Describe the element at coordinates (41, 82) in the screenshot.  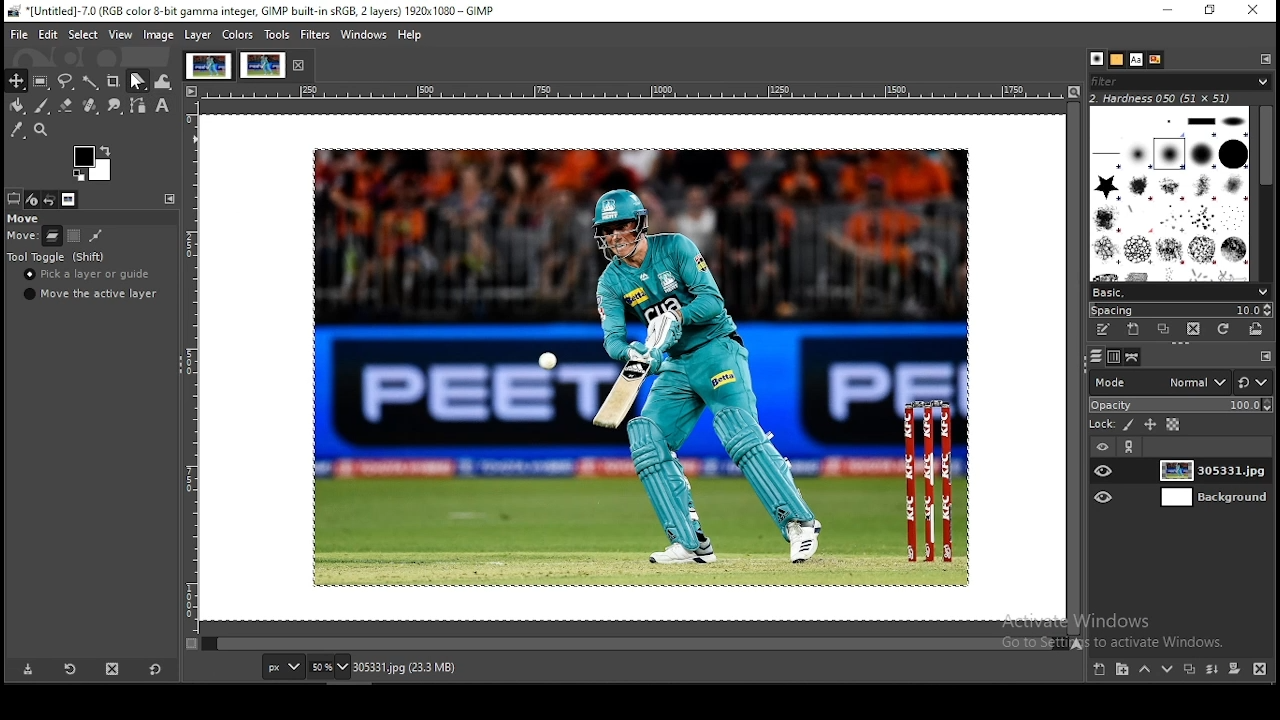
I see `rectangular selection tool` at that location.